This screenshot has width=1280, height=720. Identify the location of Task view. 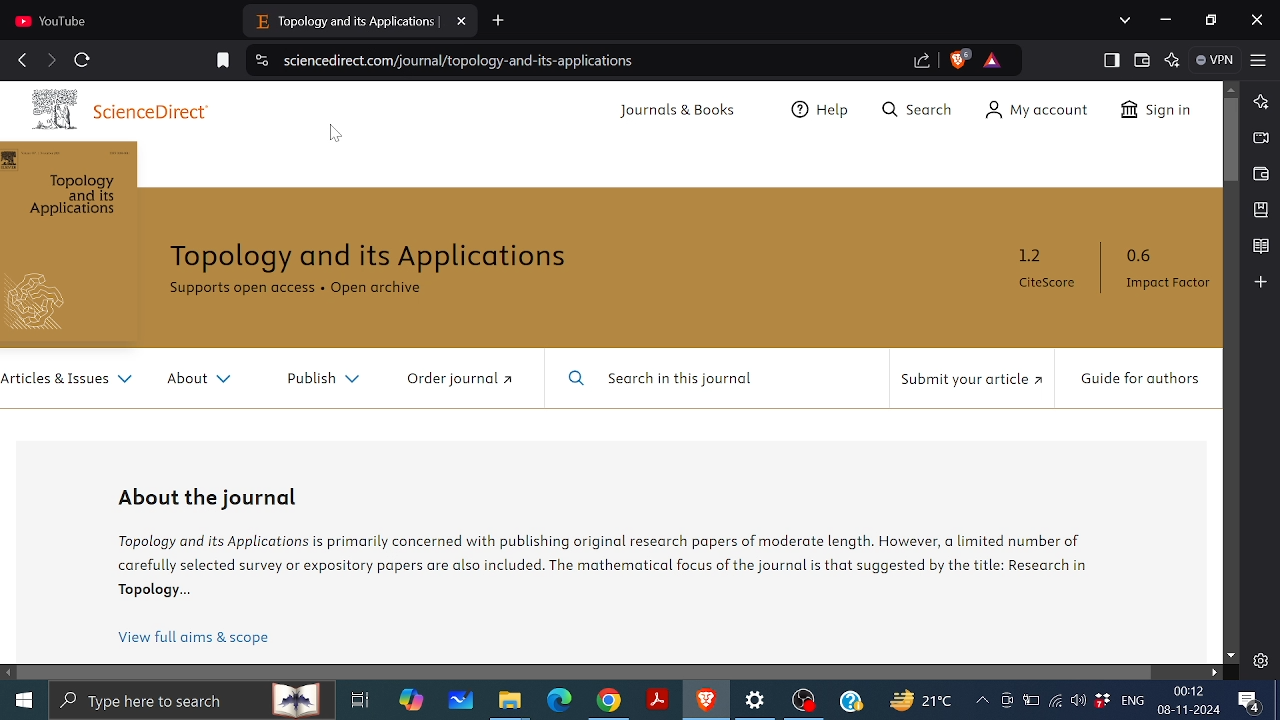
(360, 700).